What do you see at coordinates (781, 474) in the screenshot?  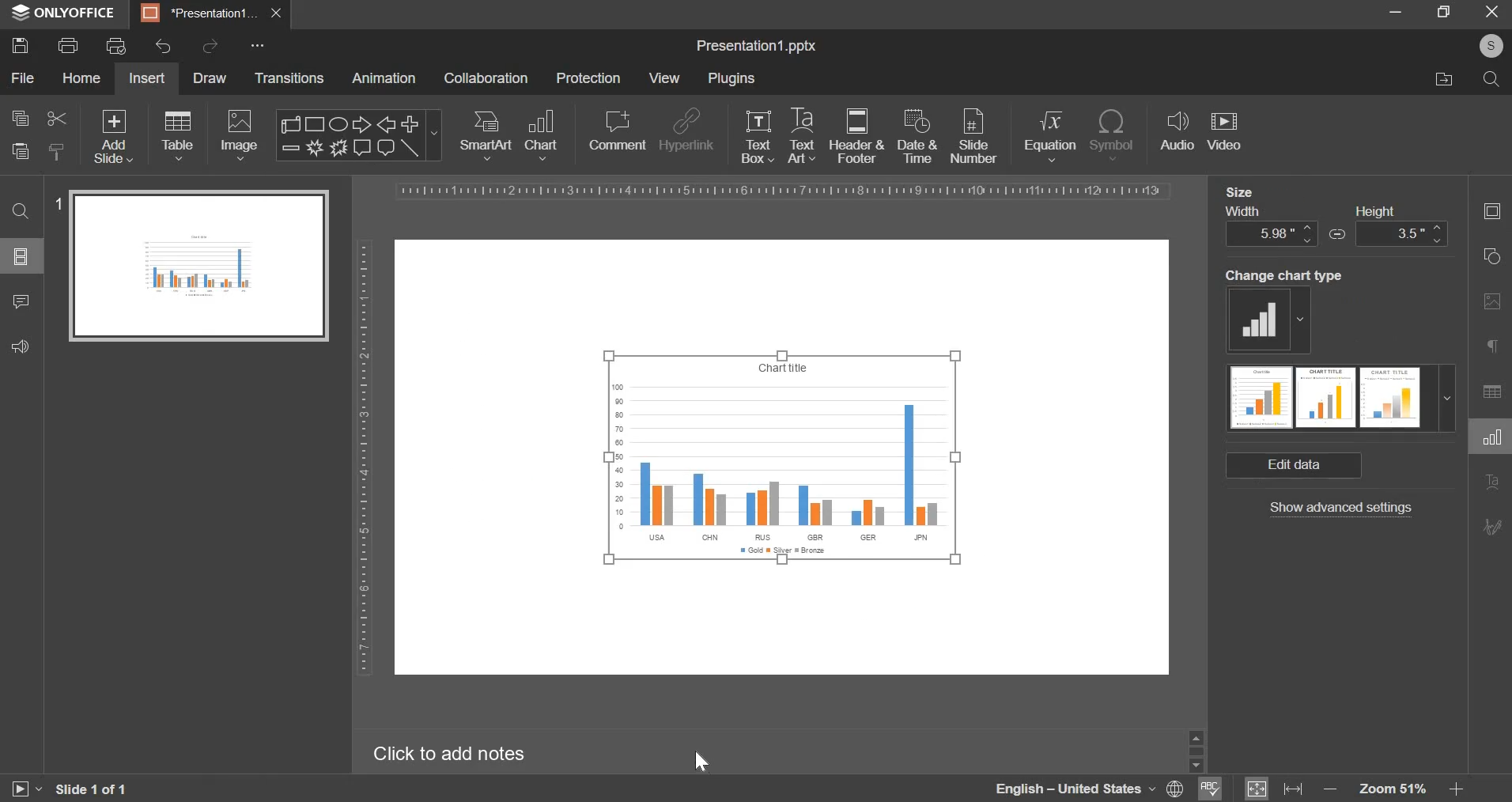 I see `chart` at bounding box center [781, 474].